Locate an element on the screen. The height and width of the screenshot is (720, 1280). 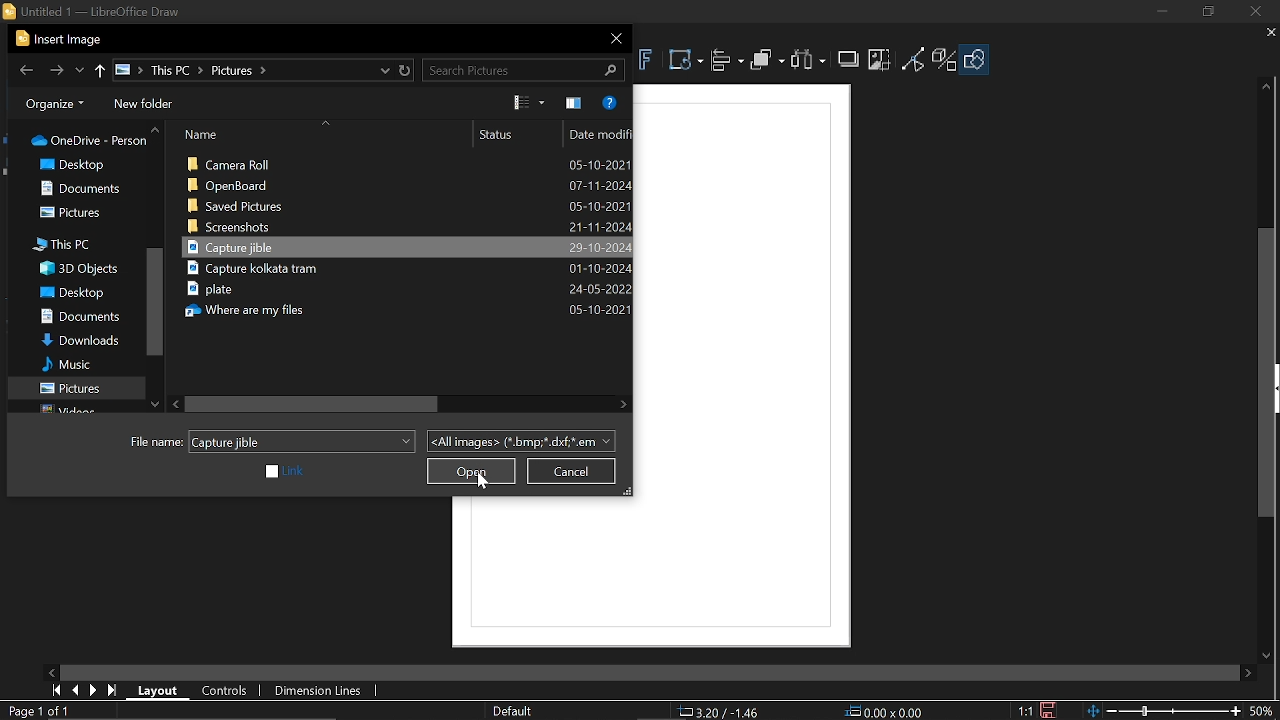
Toggle extrusion is located at coordinates (943, 60).